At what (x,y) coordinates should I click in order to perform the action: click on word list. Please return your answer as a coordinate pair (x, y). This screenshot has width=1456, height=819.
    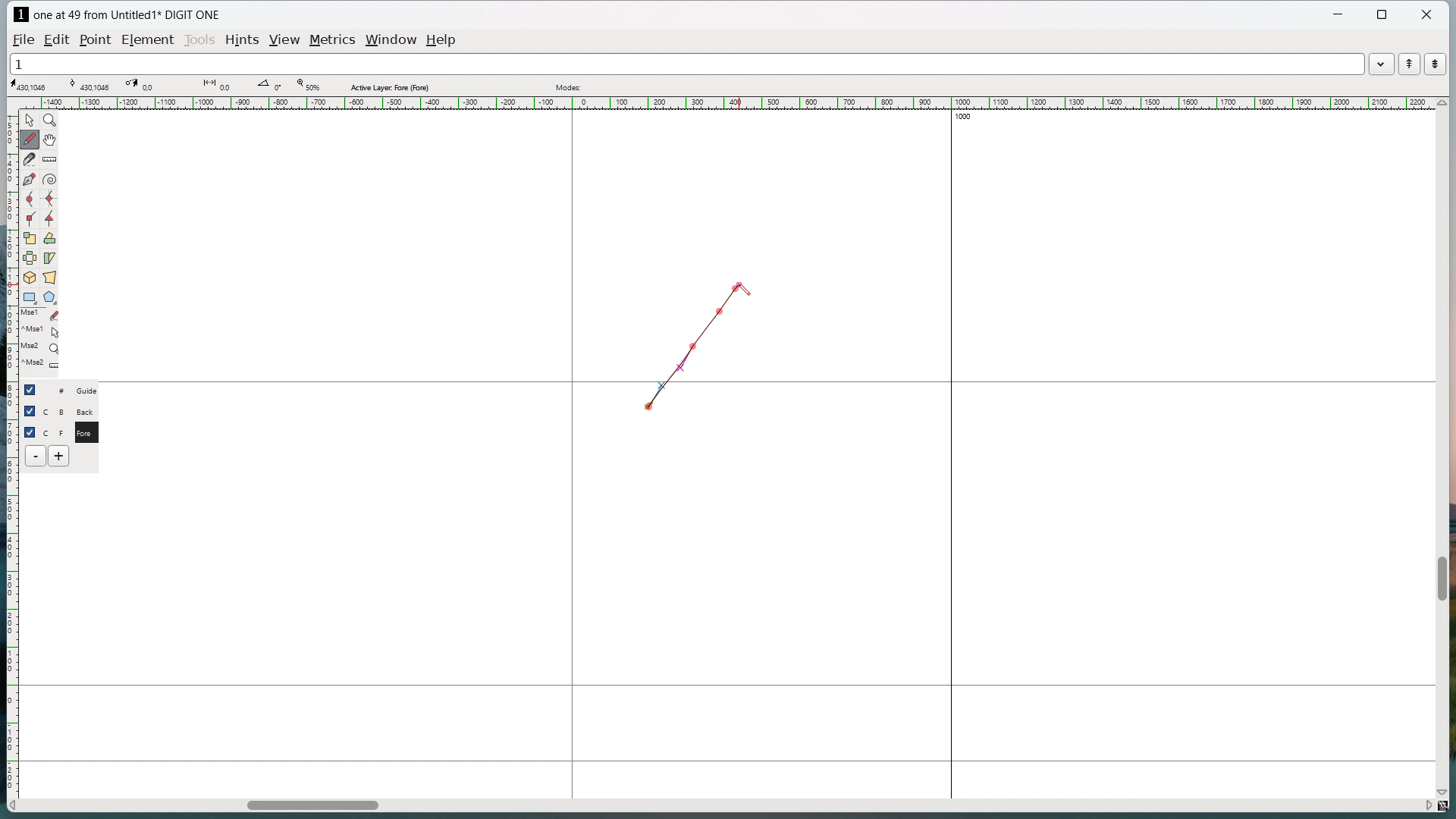
    Looking at the image, I should click on (1382, 63).